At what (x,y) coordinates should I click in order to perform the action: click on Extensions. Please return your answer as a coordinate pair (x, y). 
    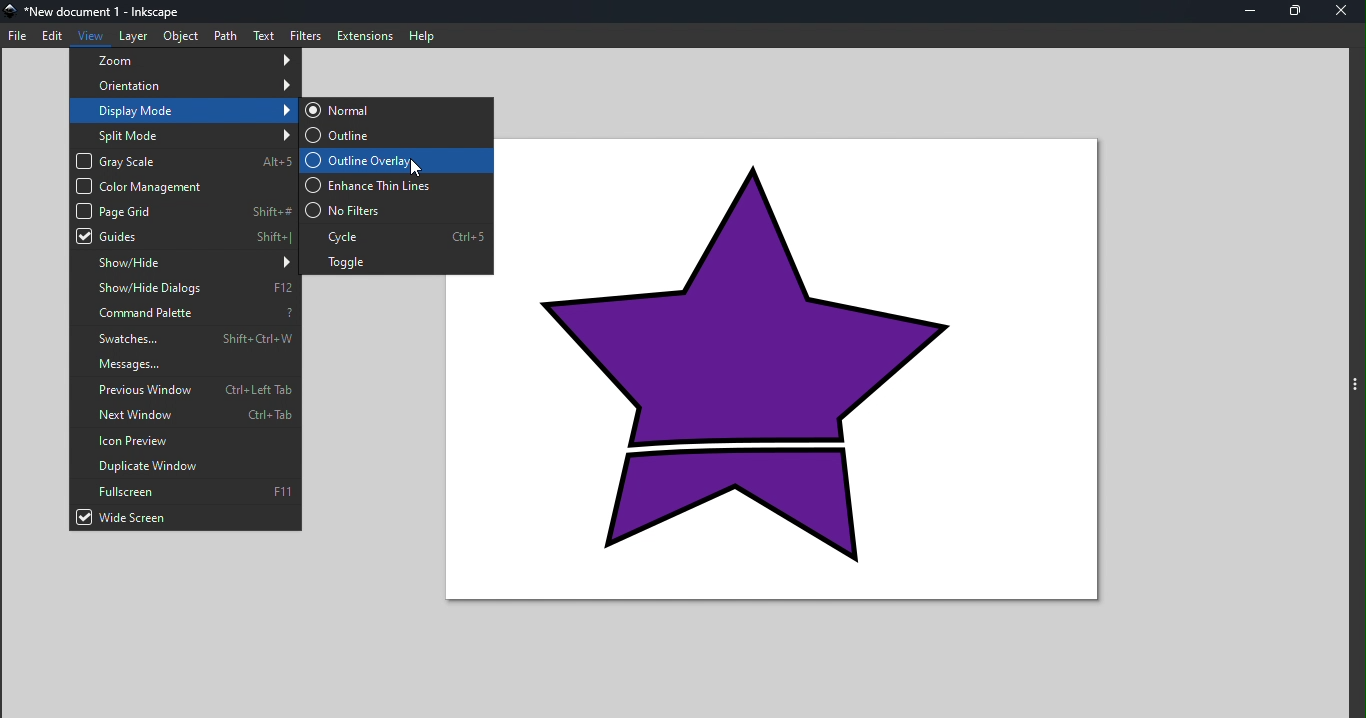
    Looking at the image, I should click on (361, 35).